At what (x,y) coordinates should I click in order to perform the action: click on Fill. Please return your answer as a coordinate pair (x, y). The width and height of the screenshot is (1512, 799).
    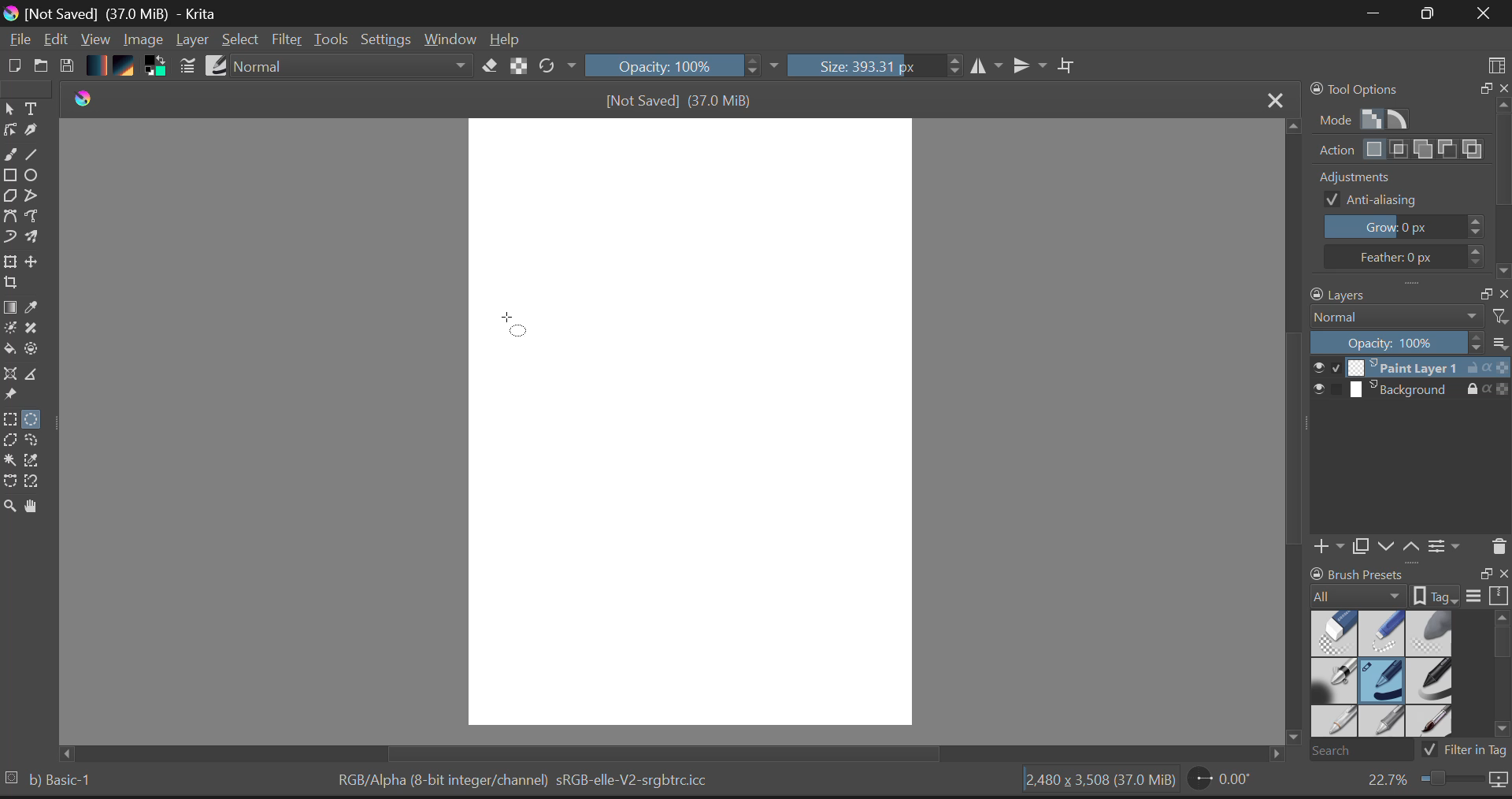
    Looking at the image, I should click on (11, 349).